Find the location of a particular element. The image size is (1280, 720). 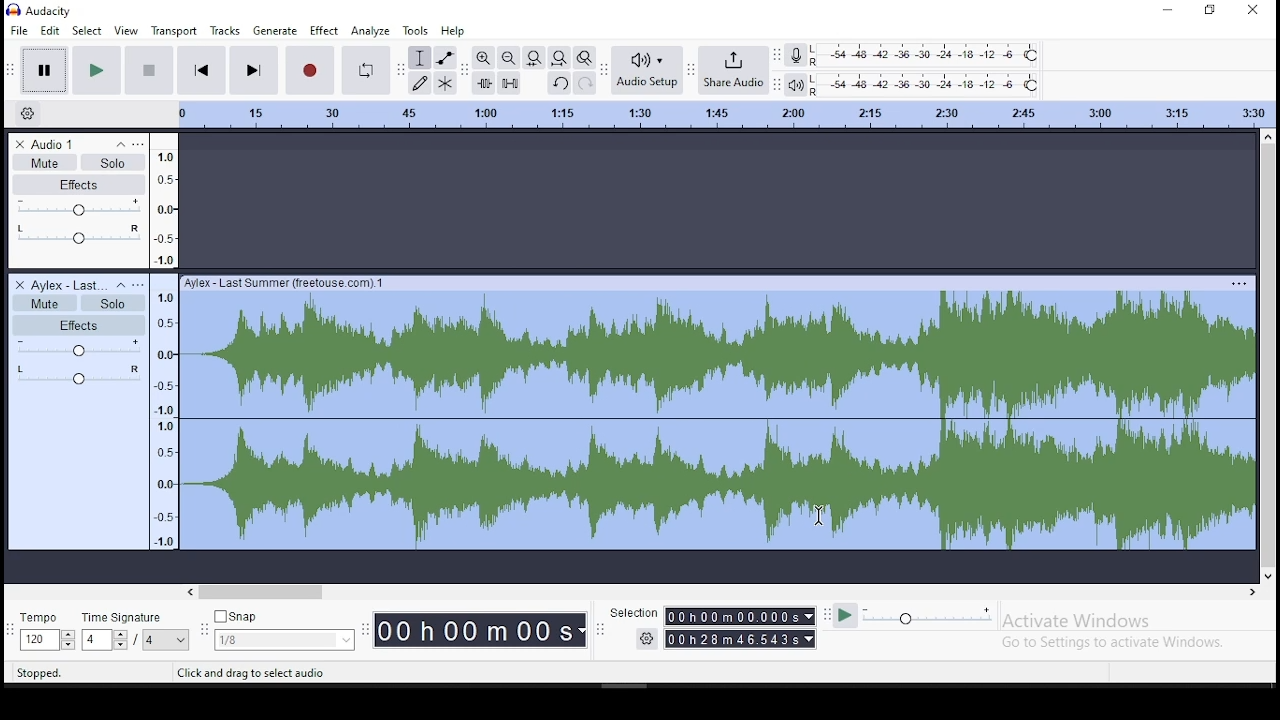

volume is located at coordinates (79, 207).